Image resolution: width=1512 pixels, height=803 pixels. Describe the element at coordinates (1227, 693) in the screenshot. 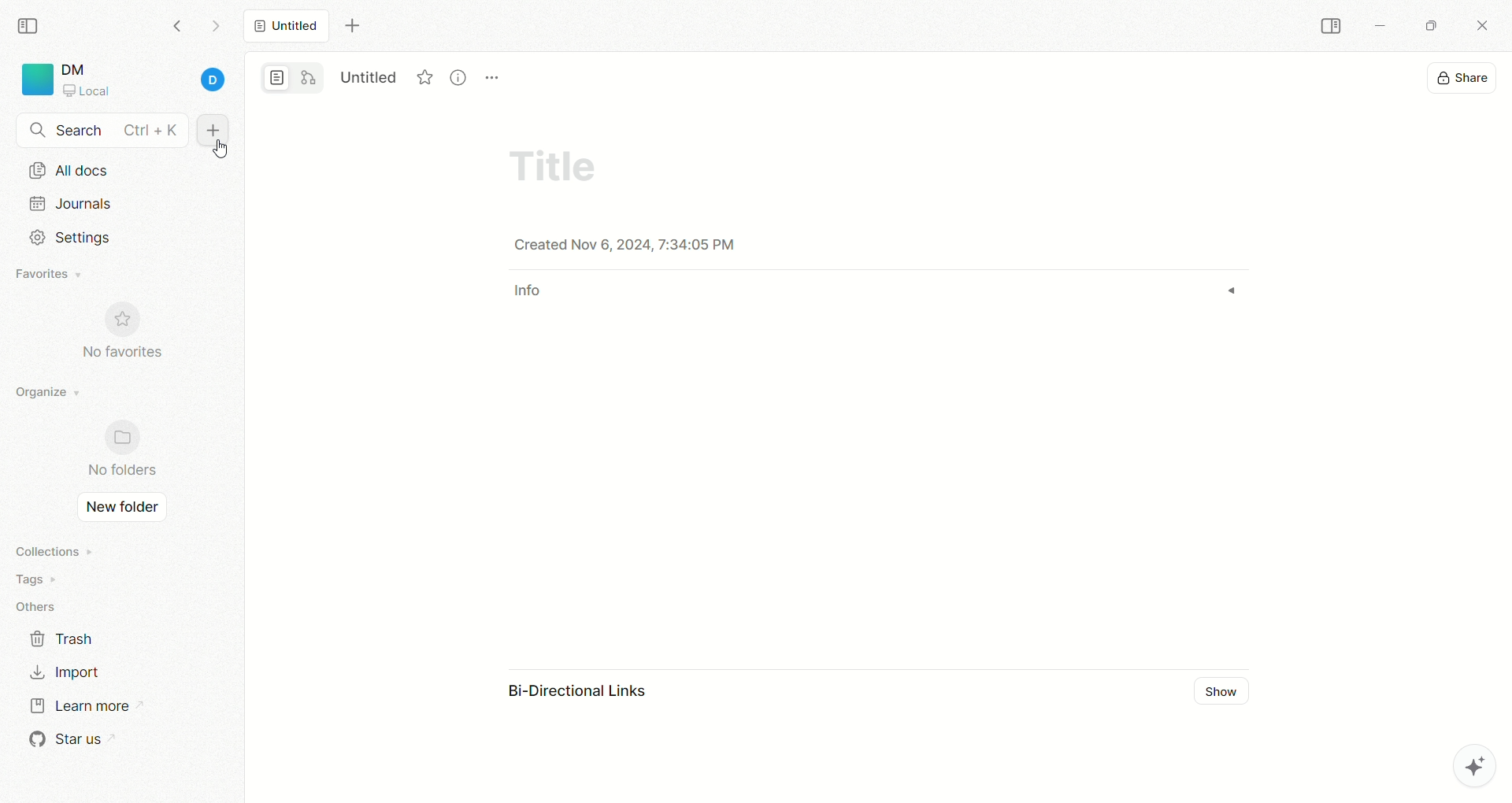

I see `show` at that location.